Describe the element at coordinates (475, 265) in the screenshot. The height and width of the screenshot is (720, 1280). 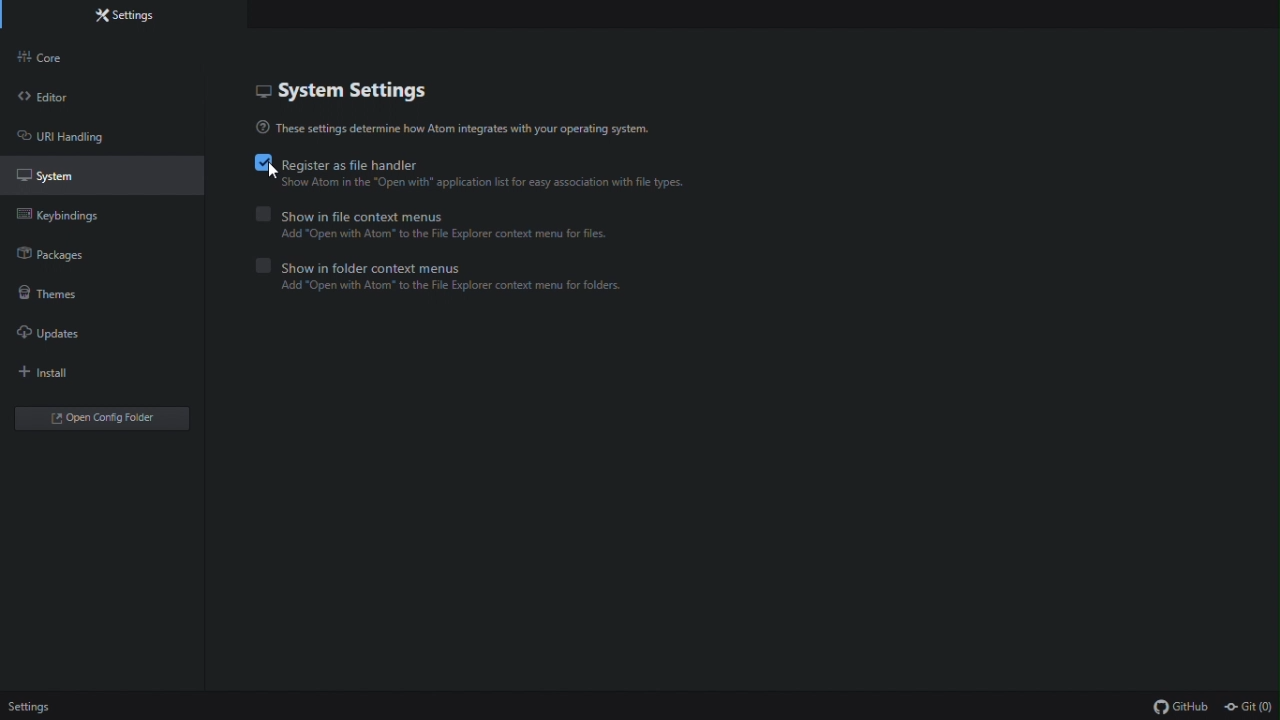
I see `Show in folder content menus` at that location.